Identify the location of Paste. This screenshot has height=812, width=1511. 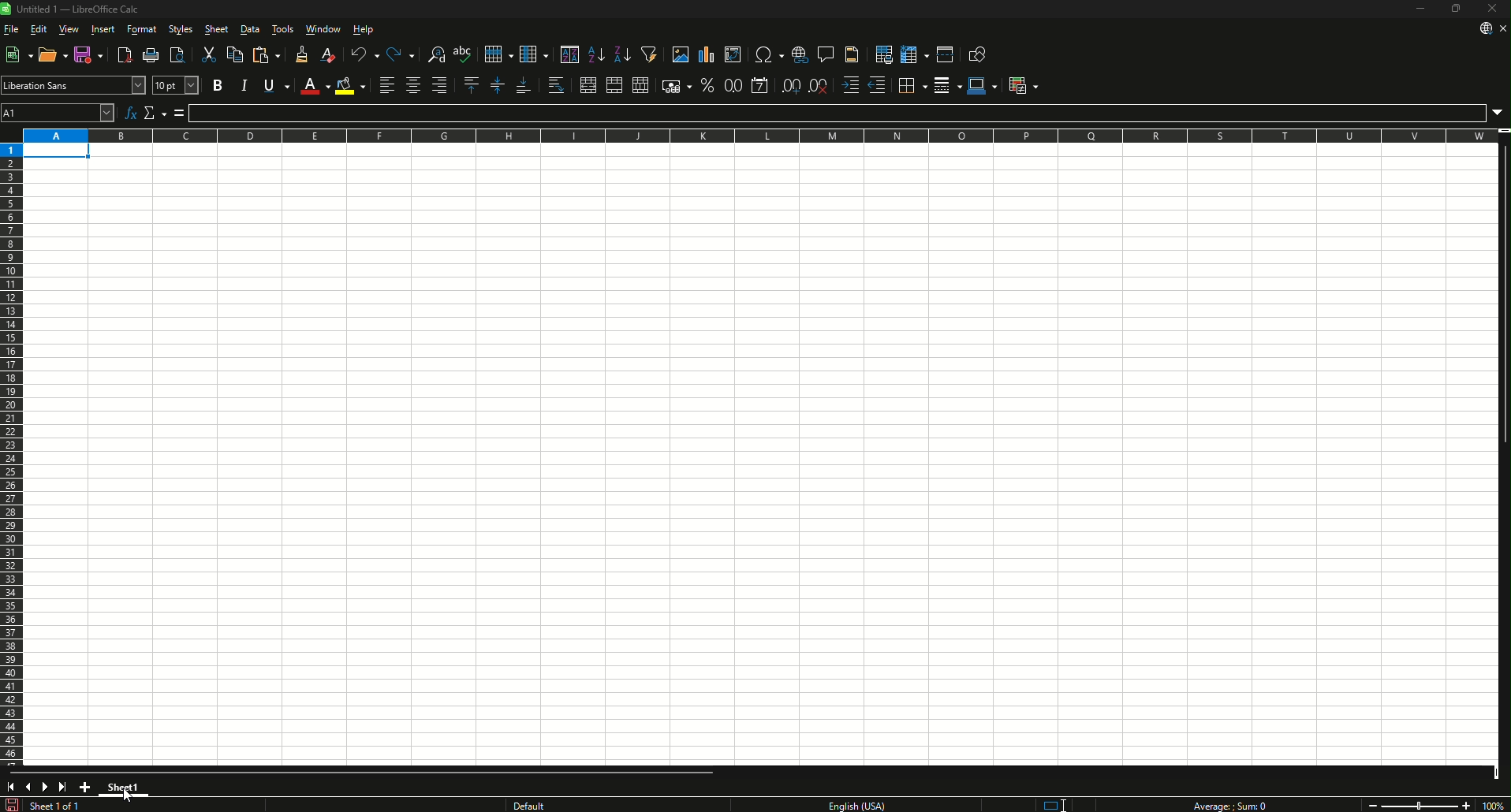
(267, 54).